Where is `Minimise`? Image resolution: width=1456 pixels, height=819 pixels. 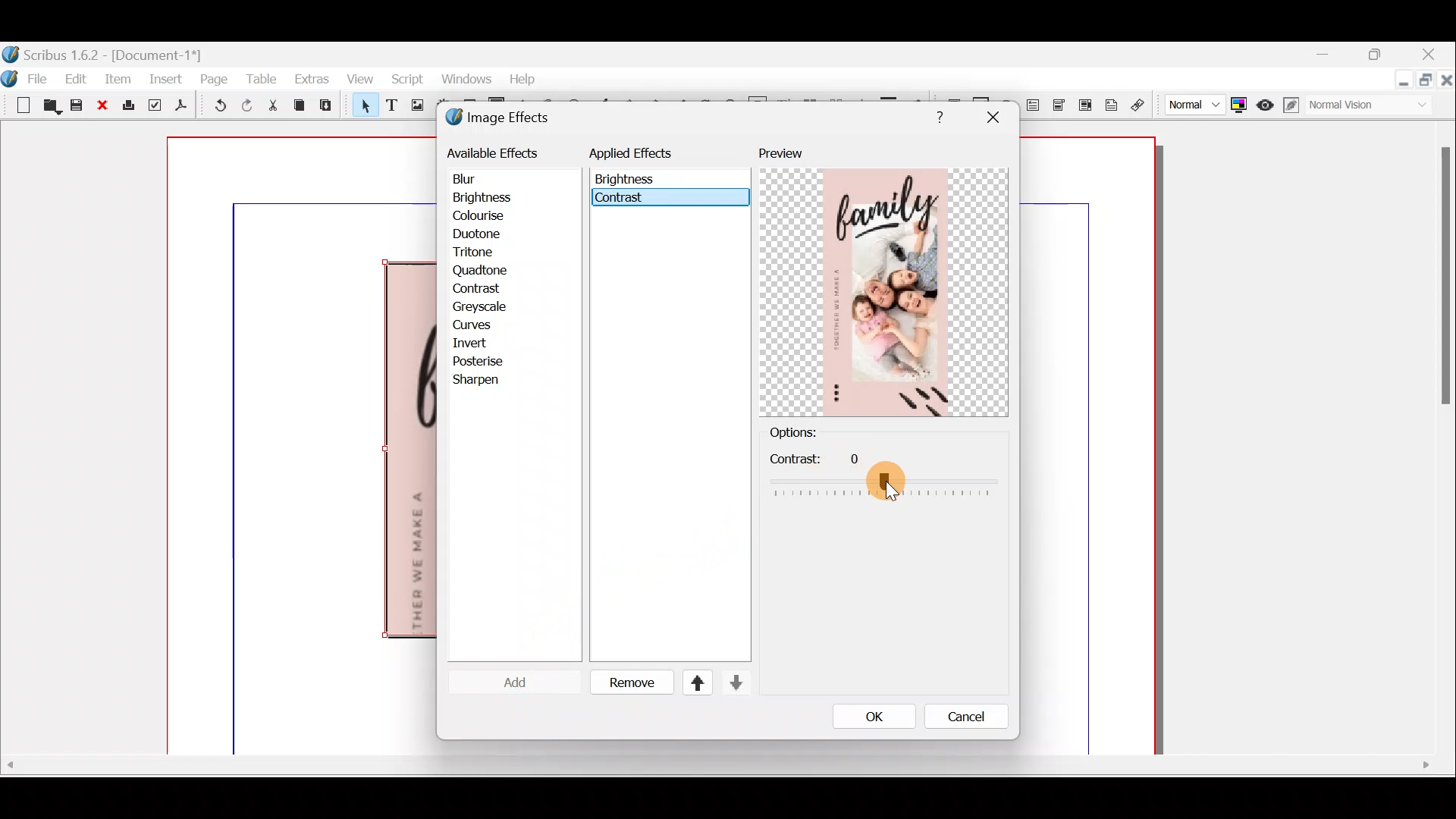 Minimise is located at coordinates (1331, 55).